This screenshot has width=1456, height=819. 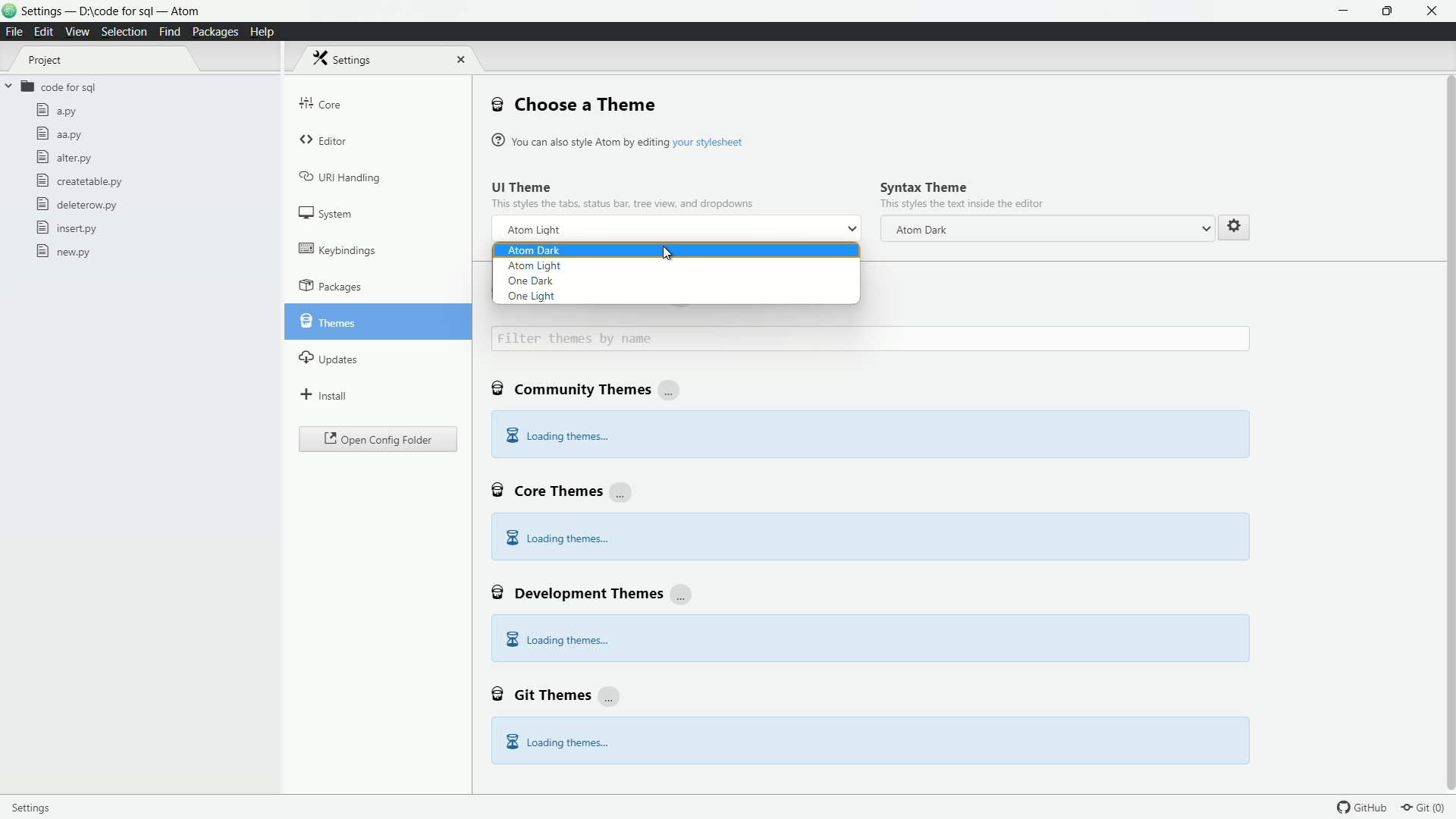 What do you see at coordinates (77, 204) in the screenshot?
I see `deleterow.py file` at bounding box center [77, 204].